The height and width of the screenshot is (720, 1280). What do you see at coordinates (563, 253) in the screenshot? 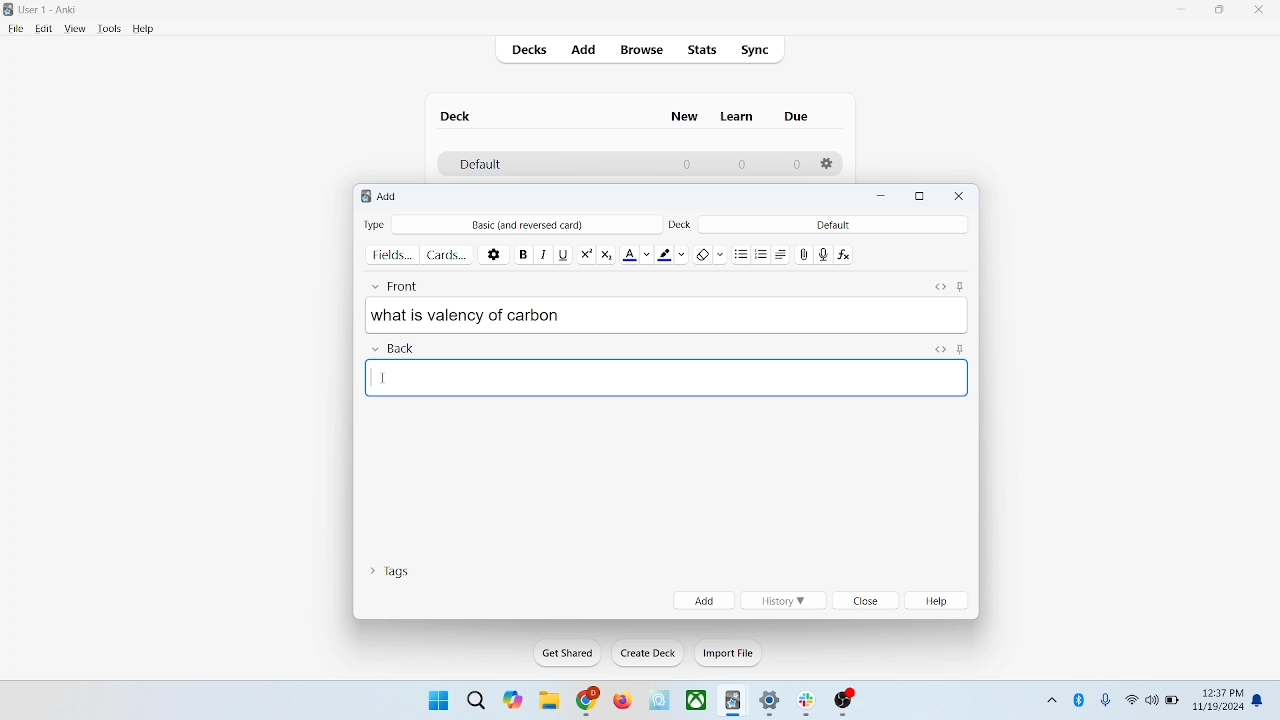
I see `underline` at bounding box center [563, 253].